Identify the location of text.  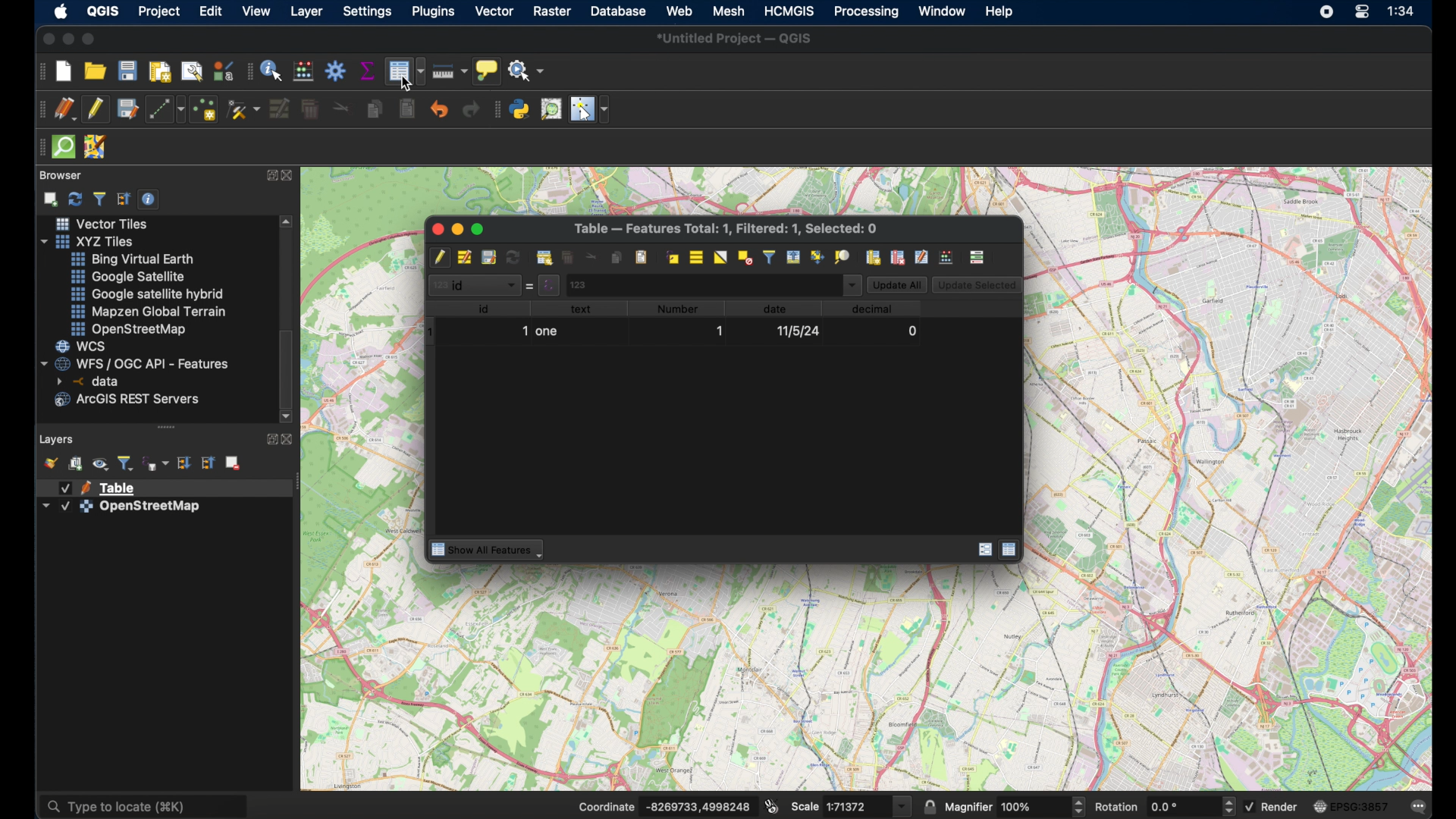
(584, 309).